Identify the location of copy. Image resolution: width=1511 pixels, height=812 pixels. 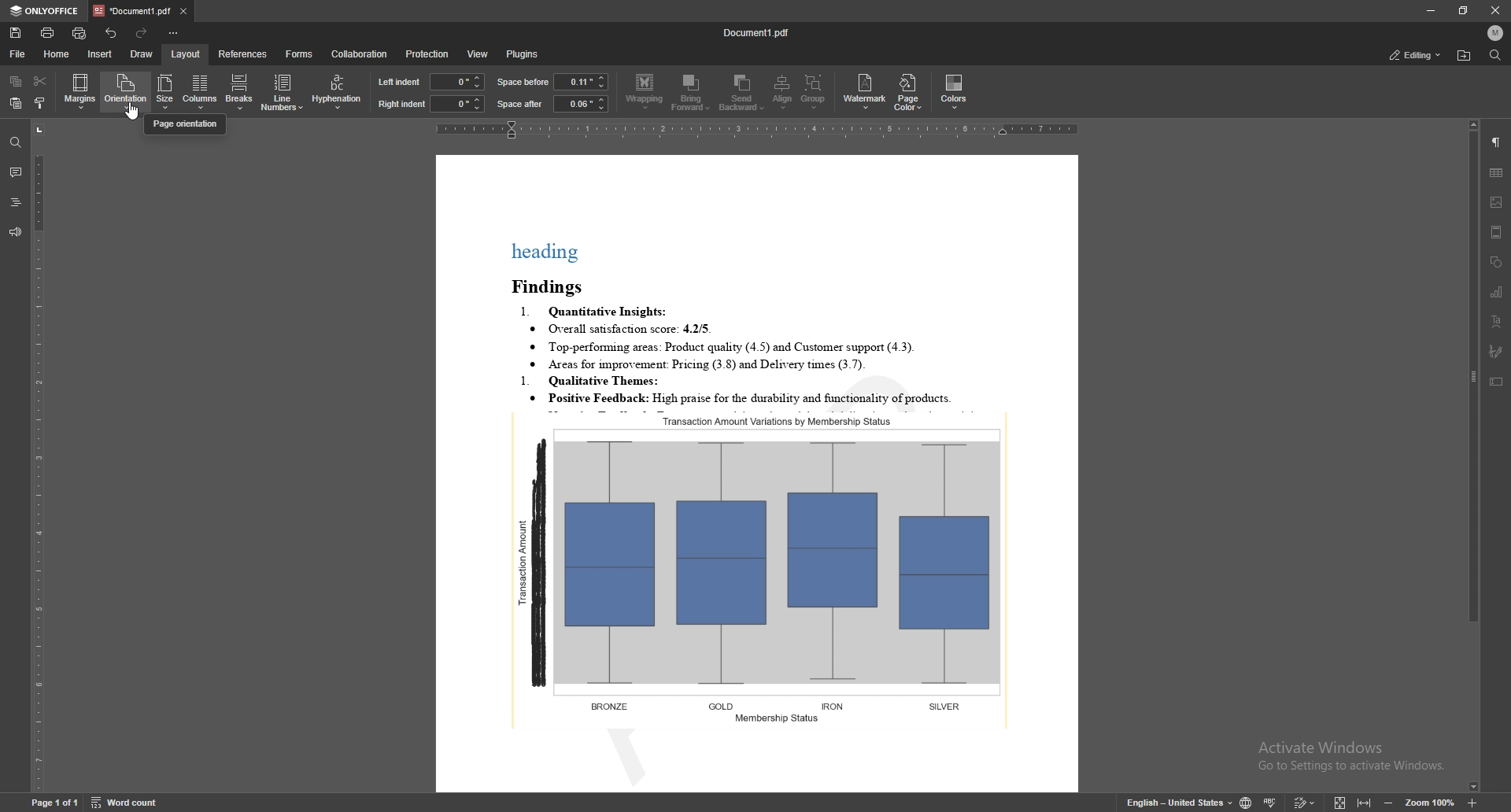
(16, 80).